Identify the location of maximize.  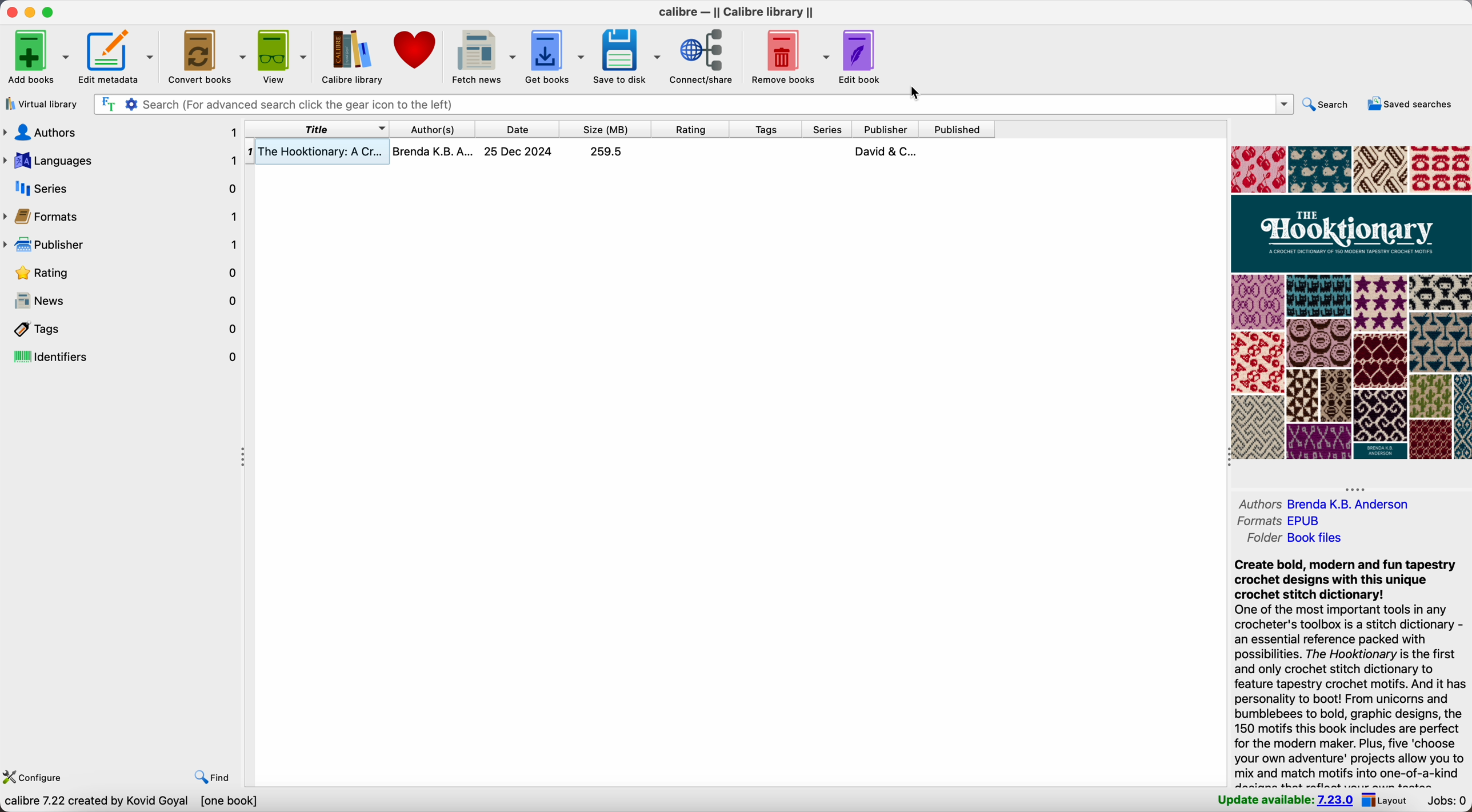
(51, 12).